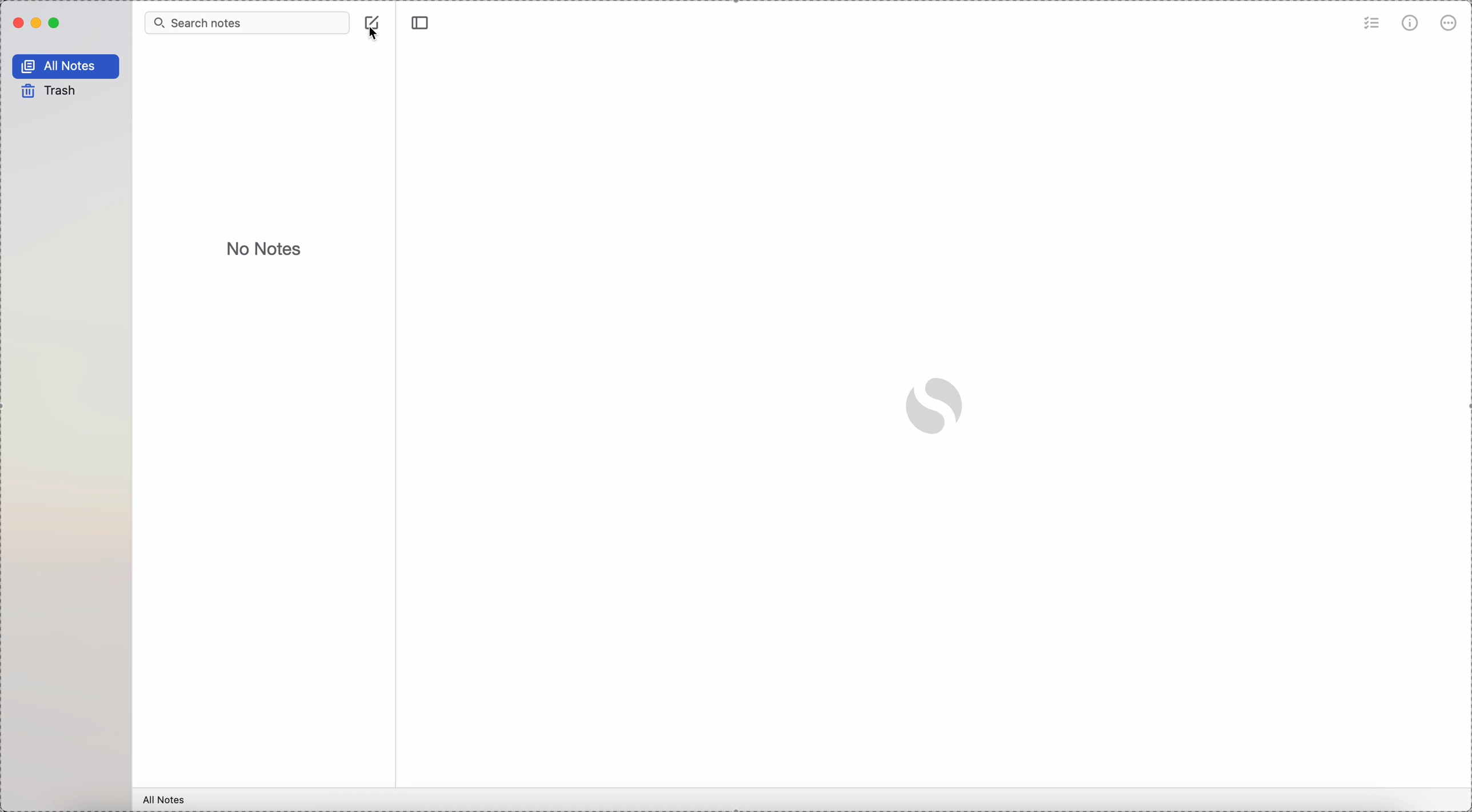 This screenshot has width=1472, height=812. What do you see at coordinates (48, 93) in the screenshot?
I see `trash` at bounding box center [48, 93].